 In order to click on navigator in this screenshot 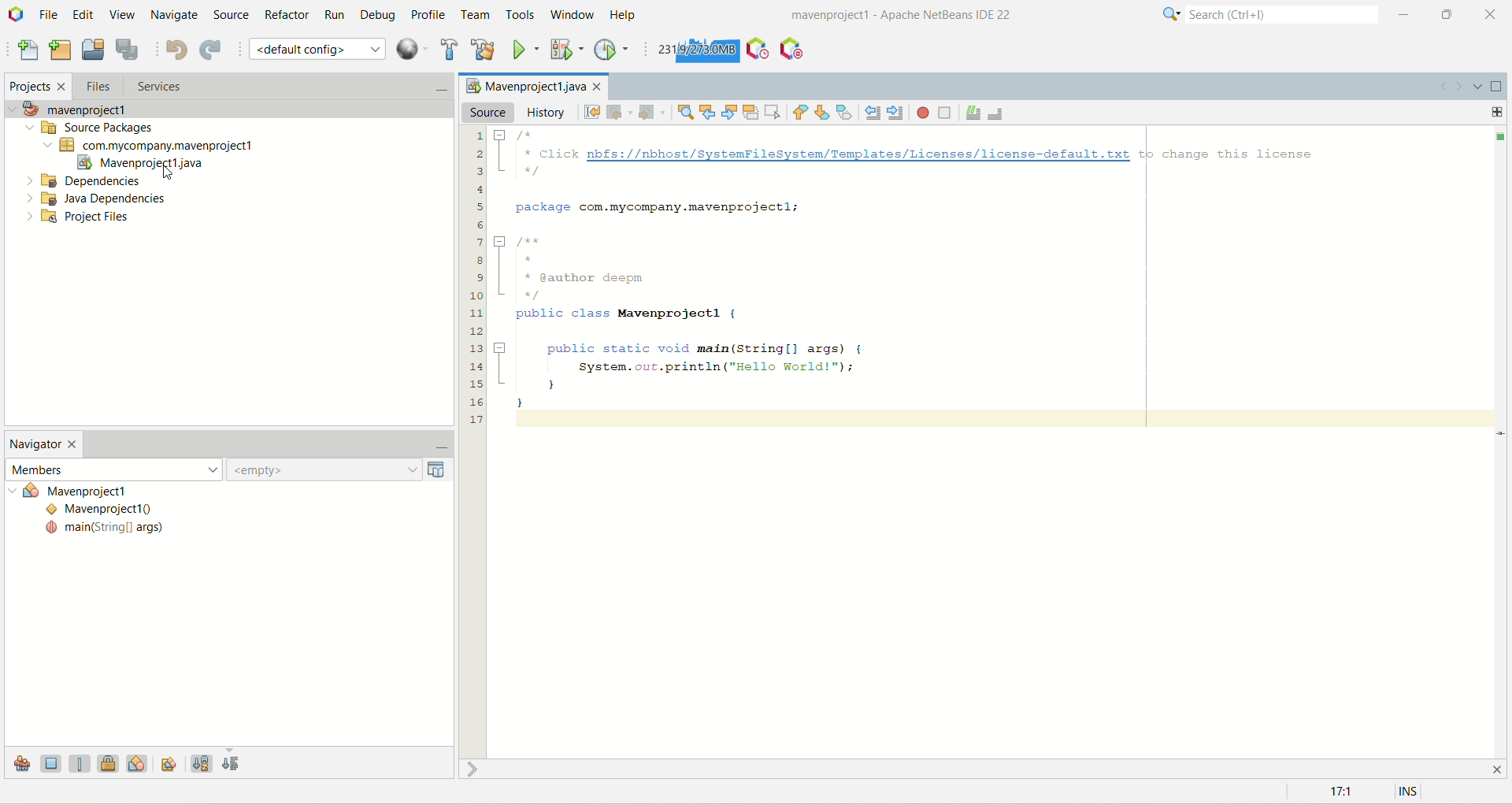, I will do `click(44, 446)`.